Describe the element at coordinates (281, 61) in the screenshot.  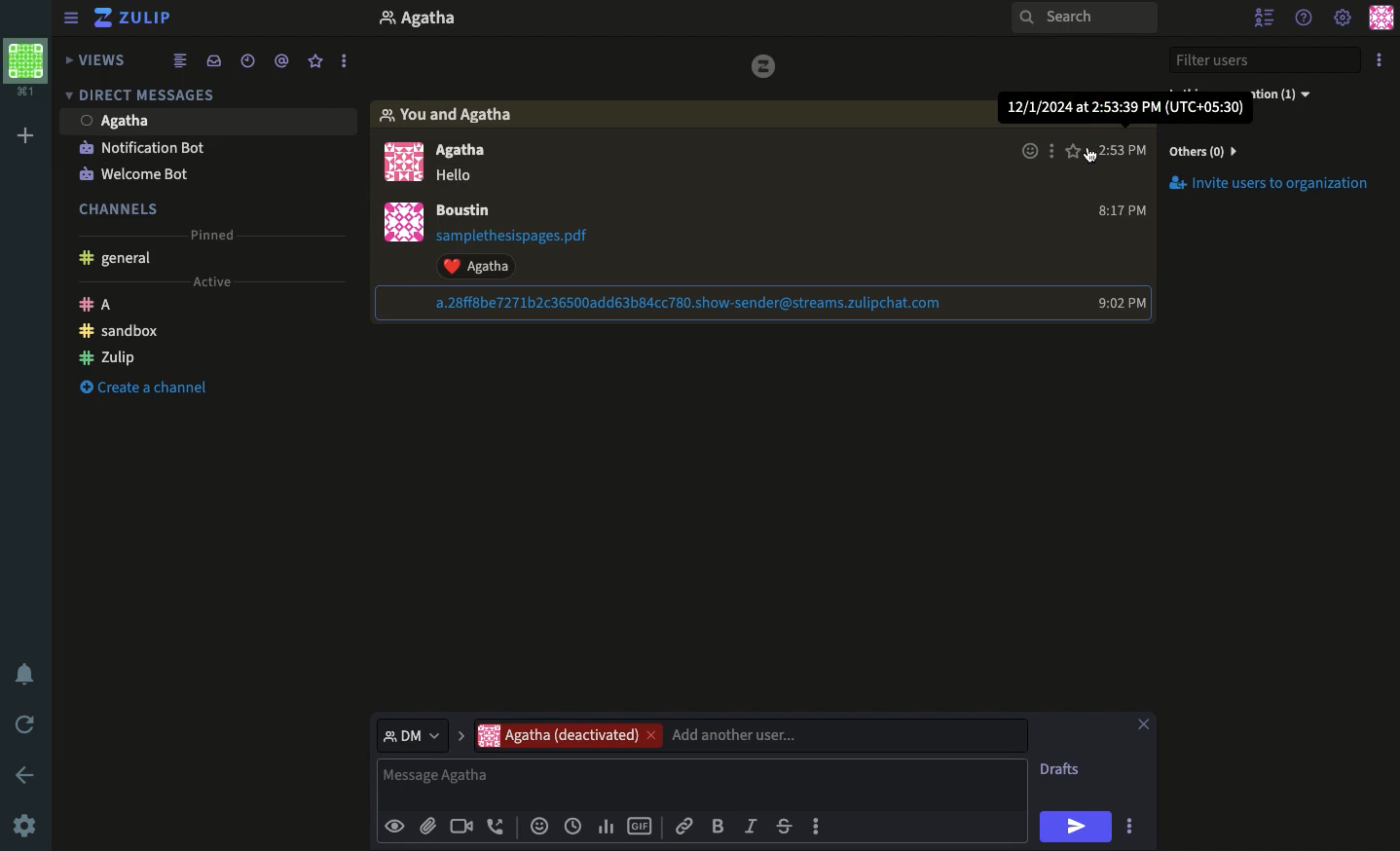
I see `Tag` at that location.